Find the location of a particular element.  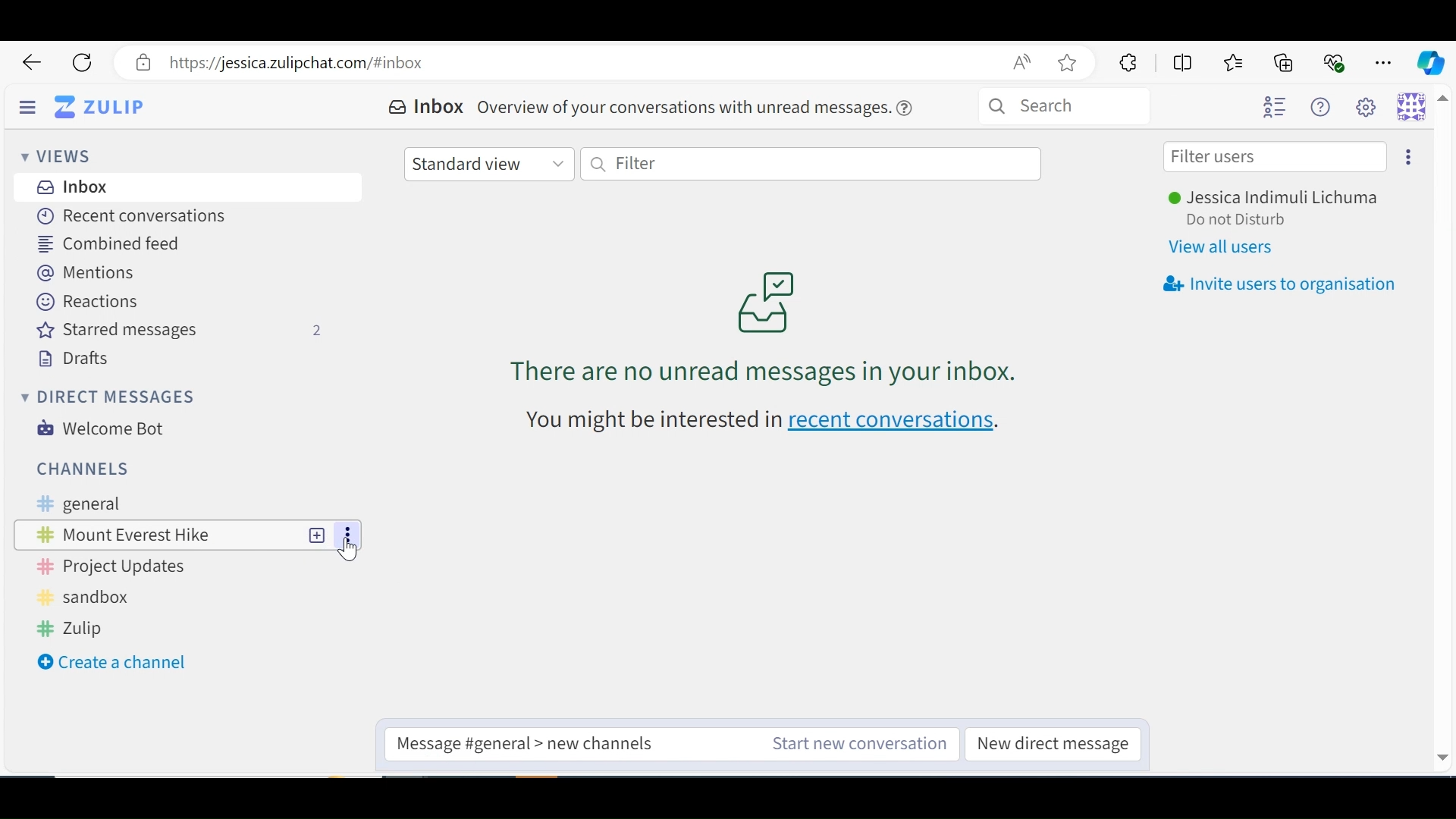

Channel is located at coordinates (157, 534).